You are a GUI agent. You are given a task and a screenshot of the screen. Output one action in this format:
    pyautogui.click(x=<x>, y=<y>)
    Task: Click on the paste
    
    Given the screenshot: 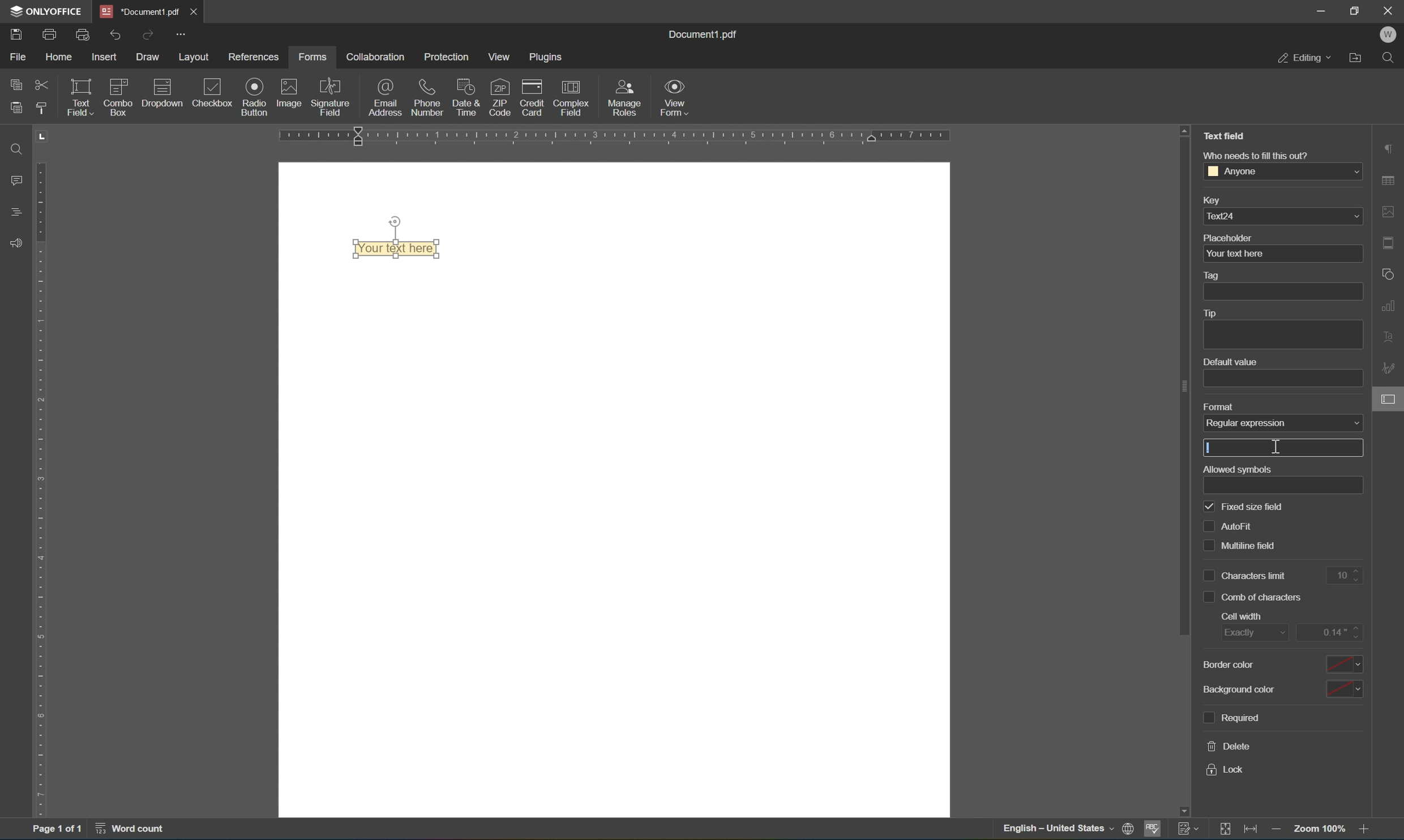 What is the action you would take?
    pyautogui.click(x=16, y=105)
    